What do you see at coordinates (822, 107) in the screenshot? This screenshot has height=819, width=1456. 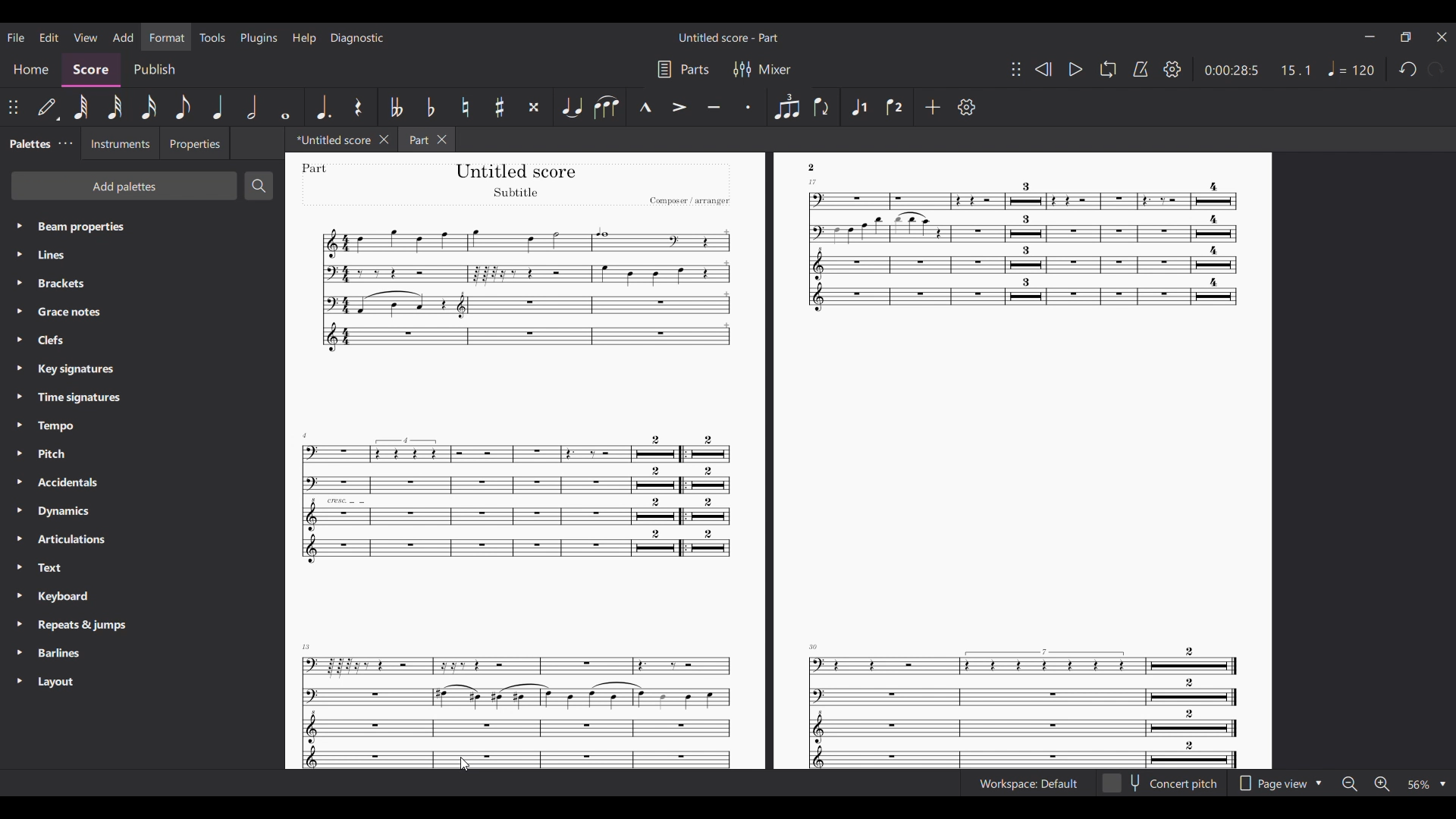 I see `Flip direction` at bounding box center [822, 107].